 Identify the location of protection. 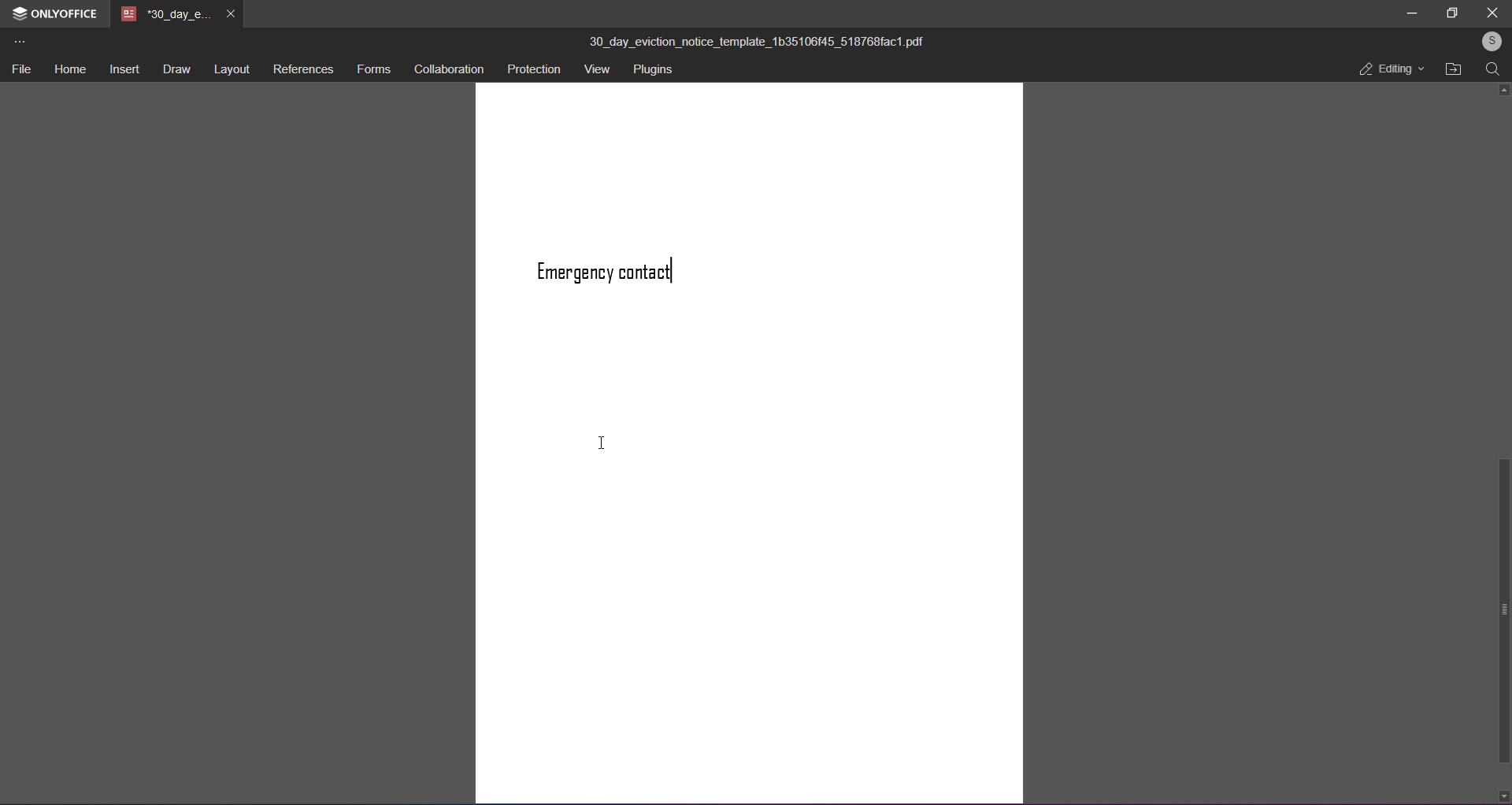
(535, 69).